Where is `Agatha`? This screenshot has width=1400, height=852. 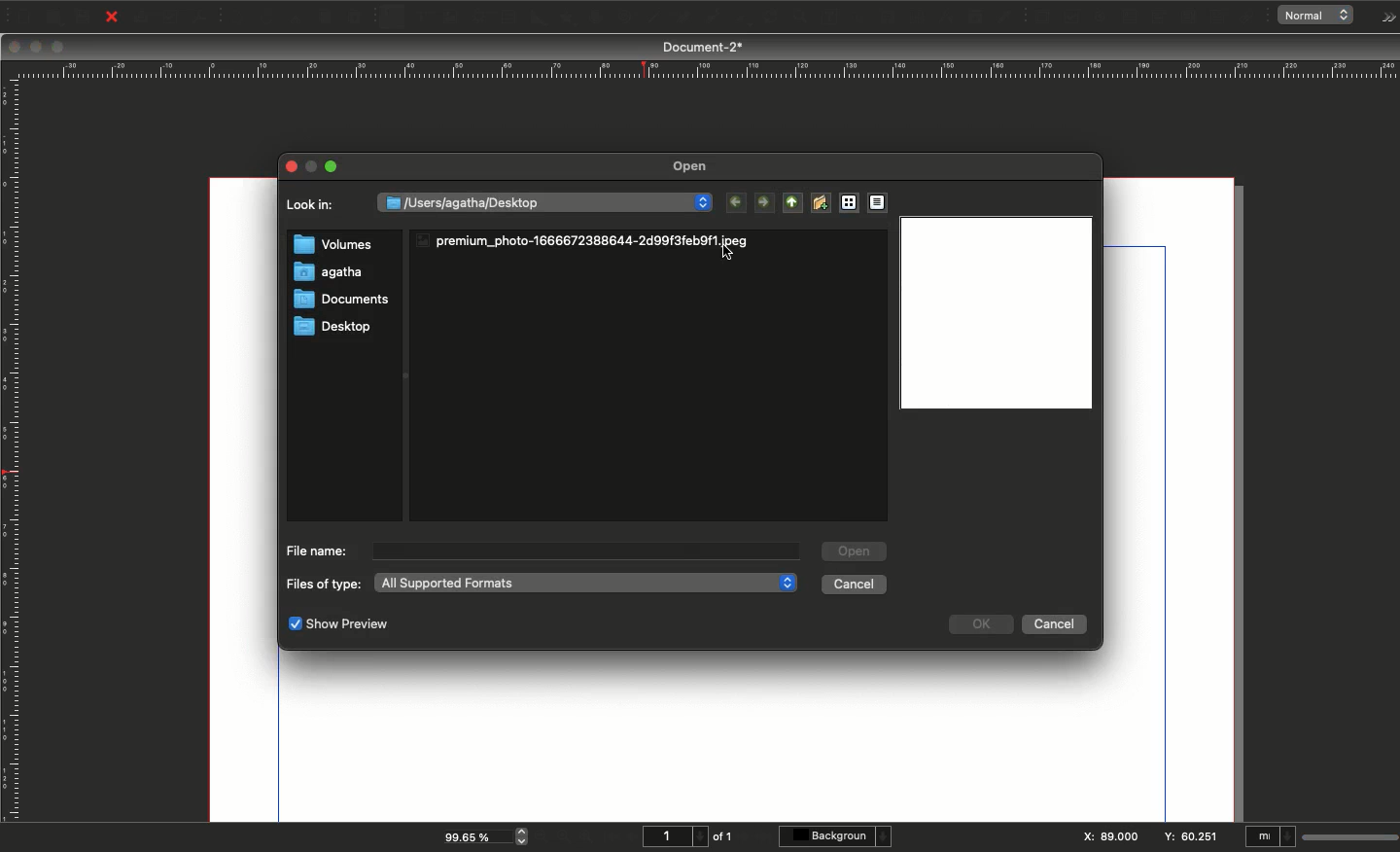
Agatha is located at coordinates (328, 273).